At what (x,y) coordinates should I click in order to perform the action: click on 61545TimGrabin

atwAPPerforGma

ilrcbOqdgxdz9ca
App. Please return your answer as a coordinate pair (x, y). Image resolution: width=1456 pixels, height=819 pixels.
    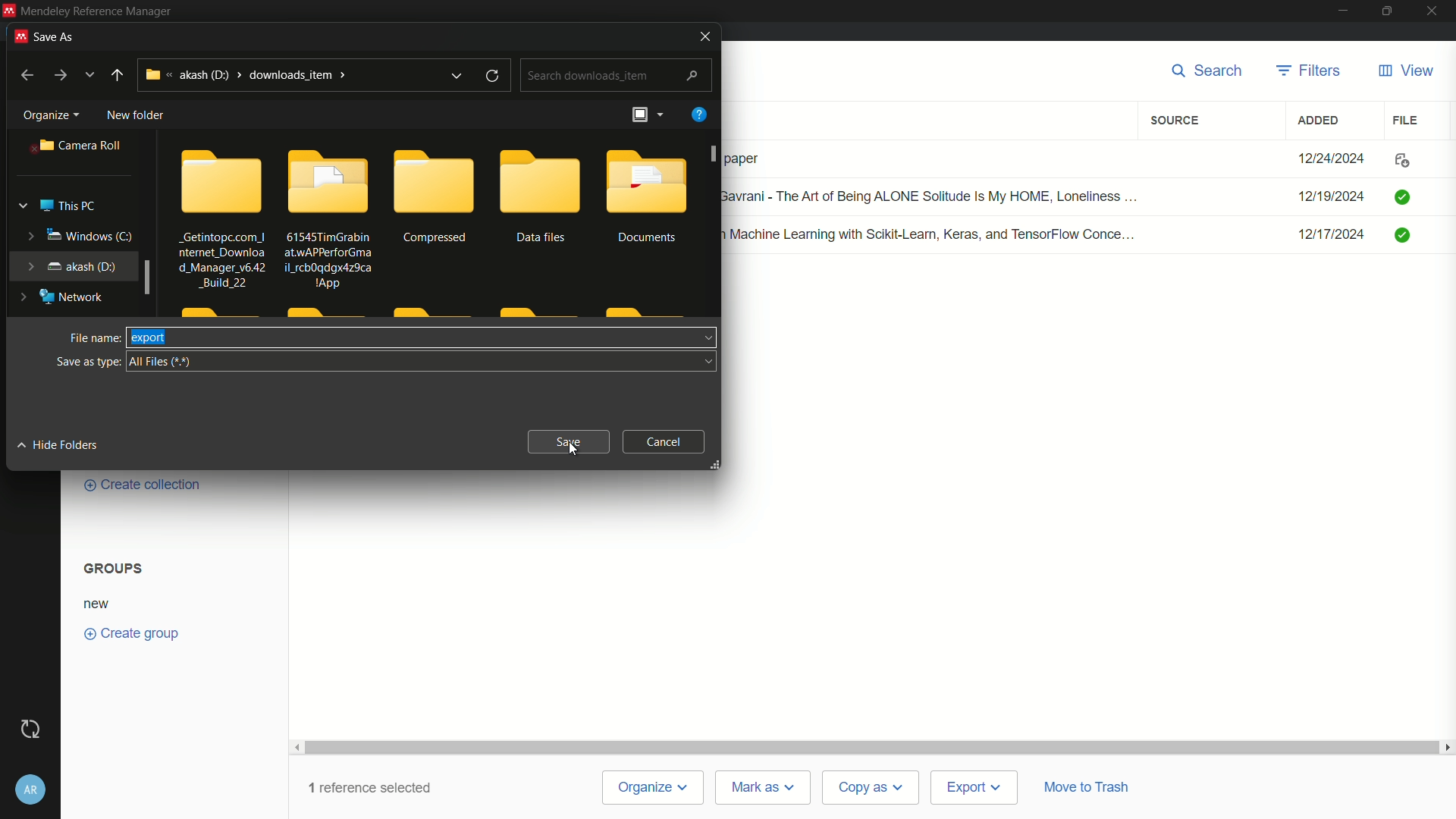
    Looking at the image, I should click on (329, 259).